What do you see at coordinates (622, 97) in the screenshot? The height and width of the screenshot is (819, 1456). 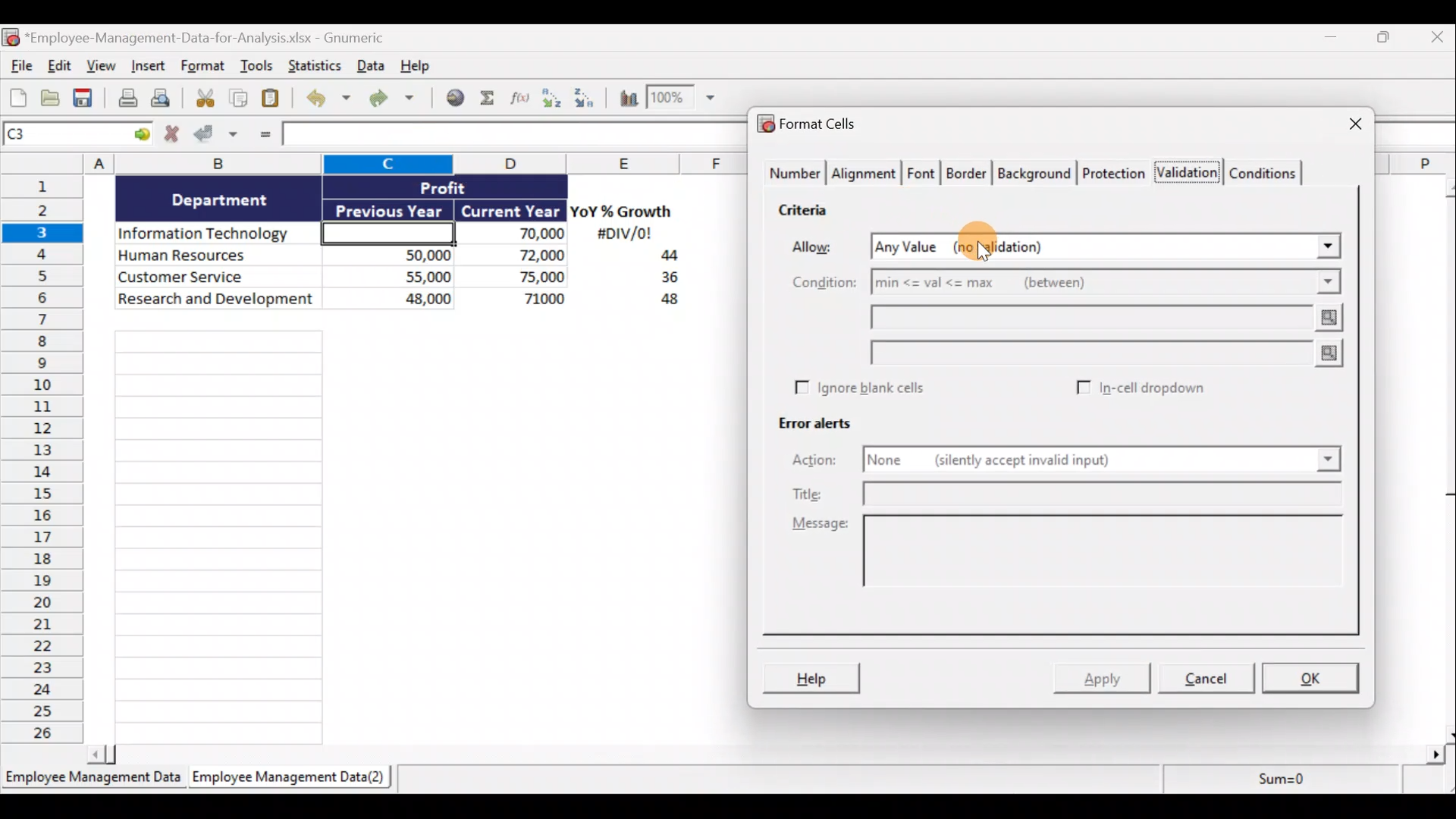 I see `Insert a chart` at bounding box center [622, 97].